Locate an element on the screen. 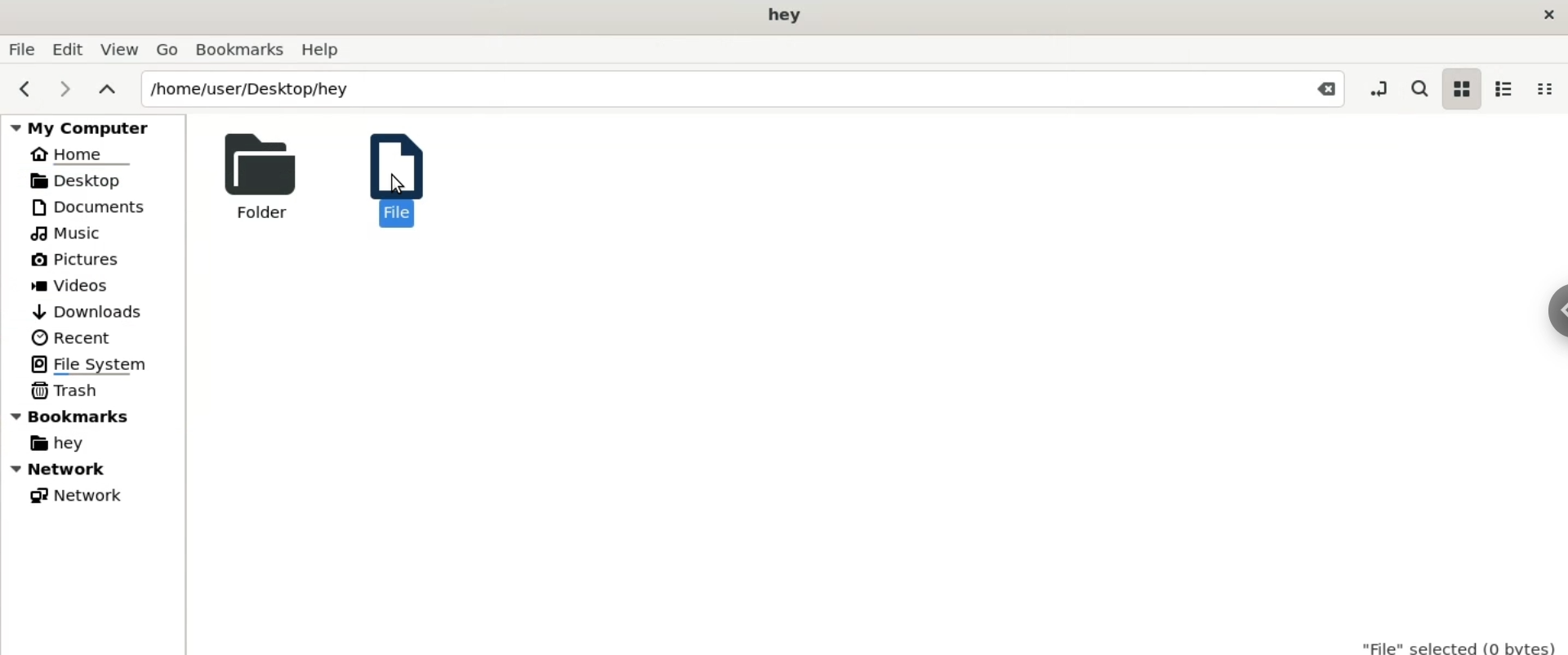  file is located at coordinates (385, 176).